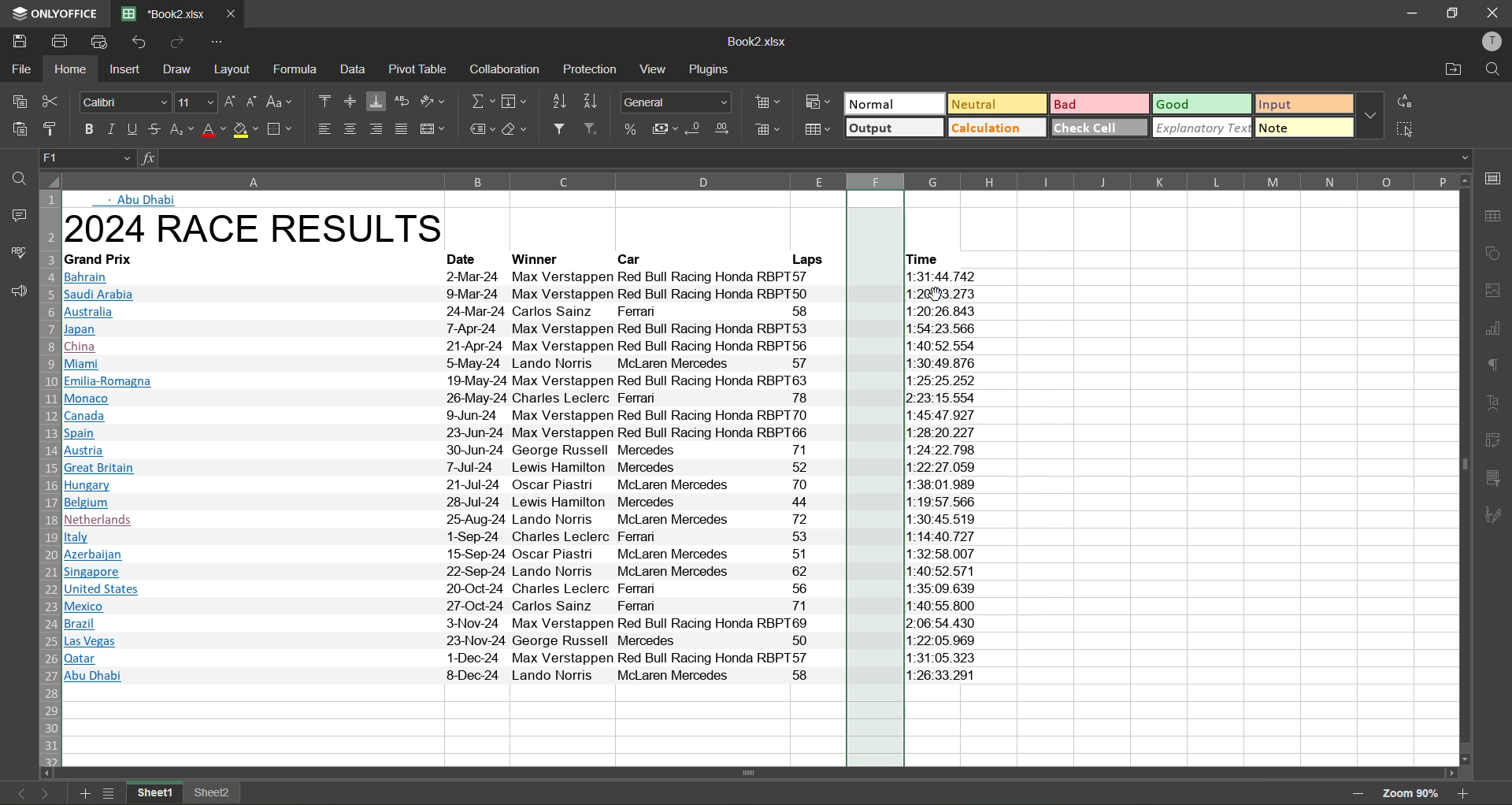 The width and height of the screenshot is (1512, 805). Describe the element at coordinates (1412, 793) in the screenshot. I see `zoom factor 85%` at that location.